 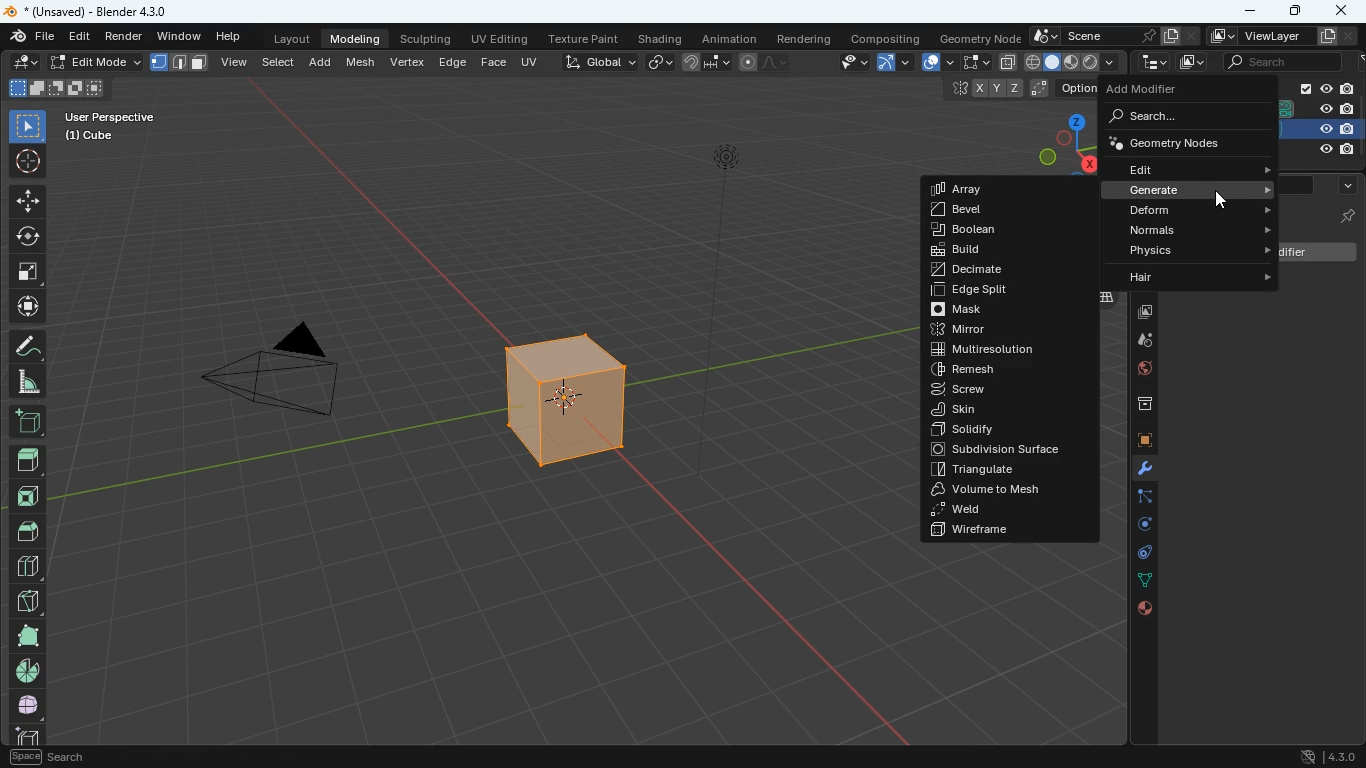 What do you see at coordinates (26, 636) in the screenshot?
I see `full` at bounding box center [26, 636].